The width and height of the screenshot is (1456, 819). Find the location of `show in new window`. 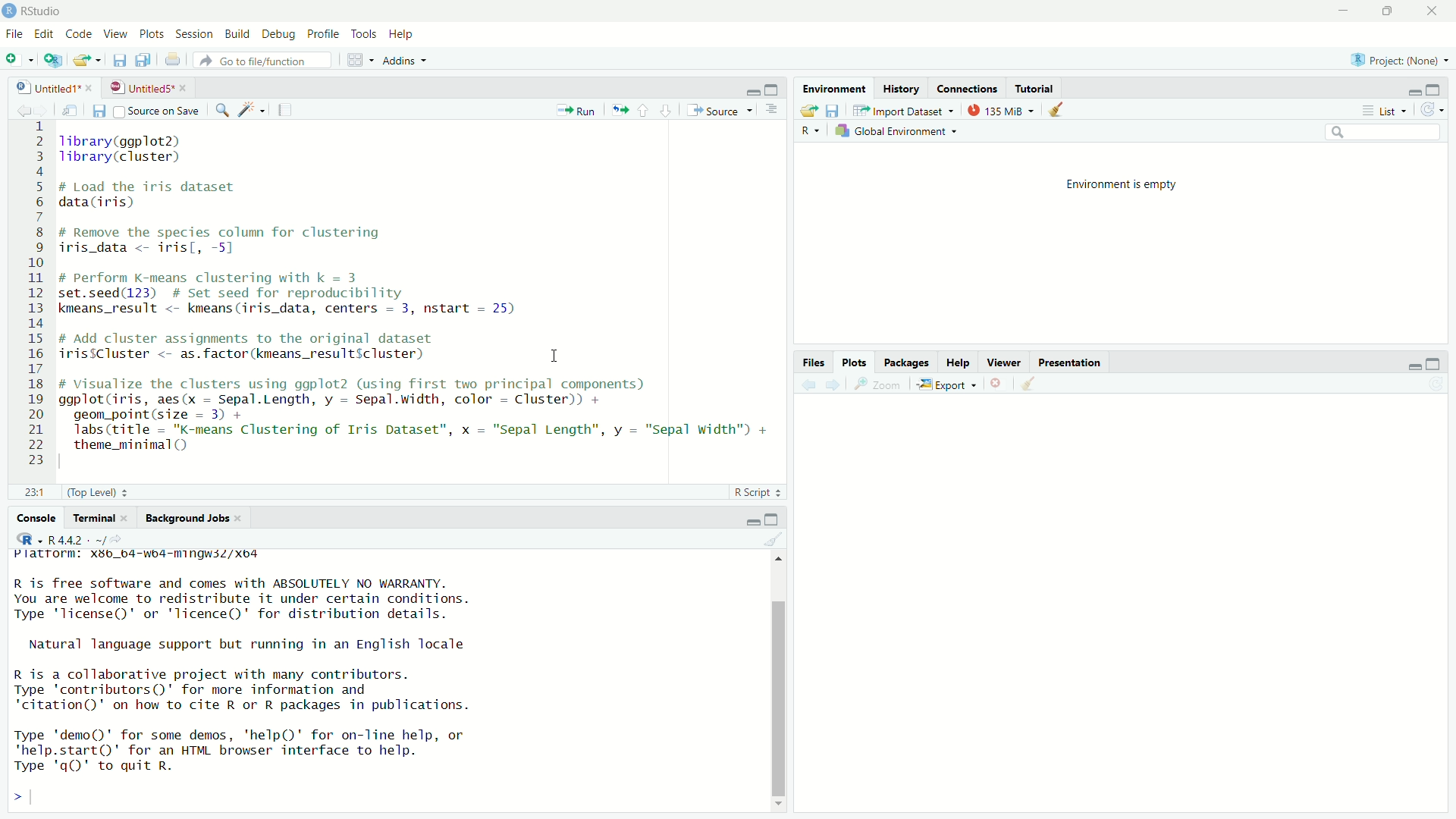

show in new window is located at coordinates (67, 108).